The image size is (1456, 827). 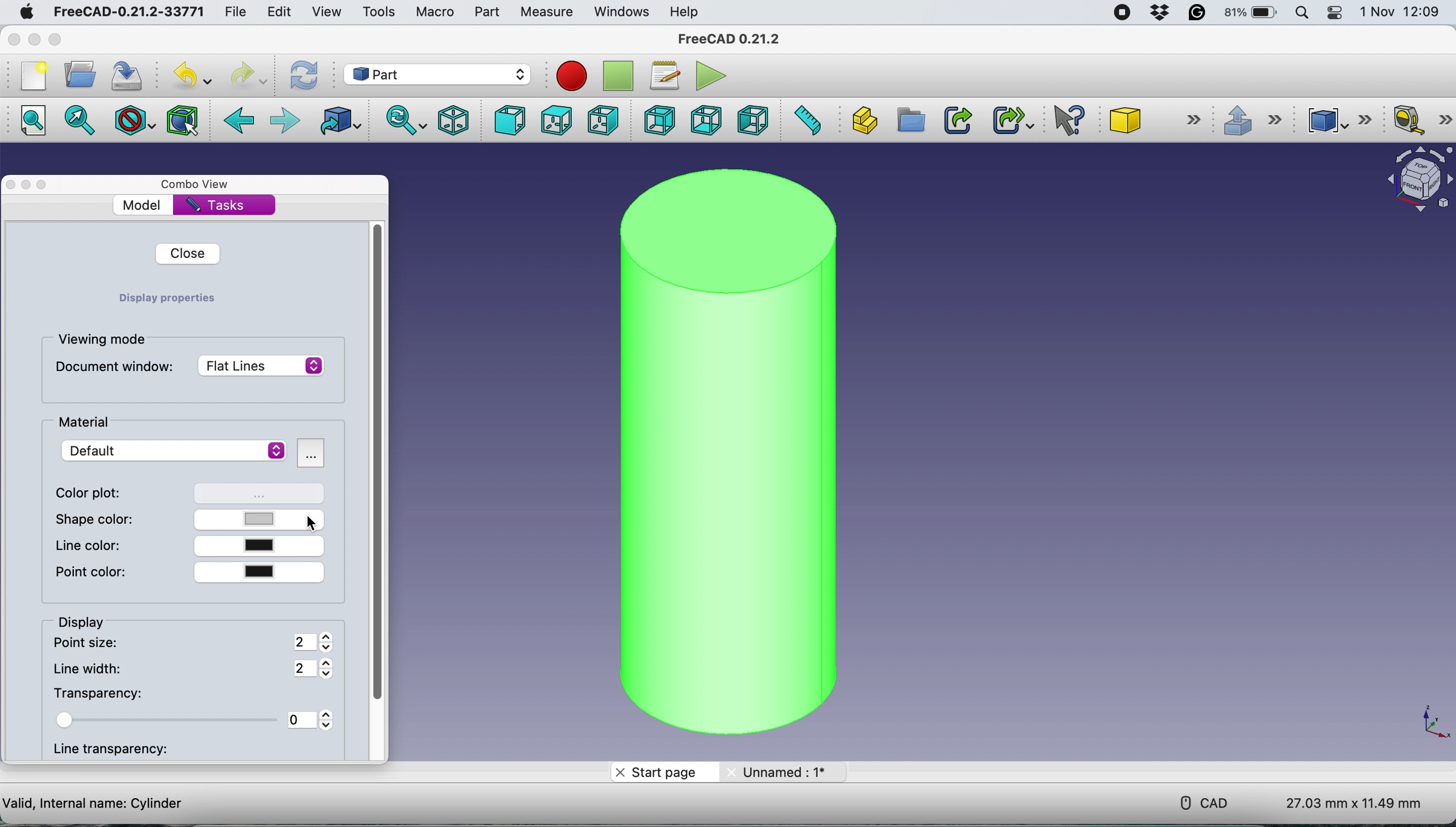 I want to click on measure distance, so click(x=810, y=120).